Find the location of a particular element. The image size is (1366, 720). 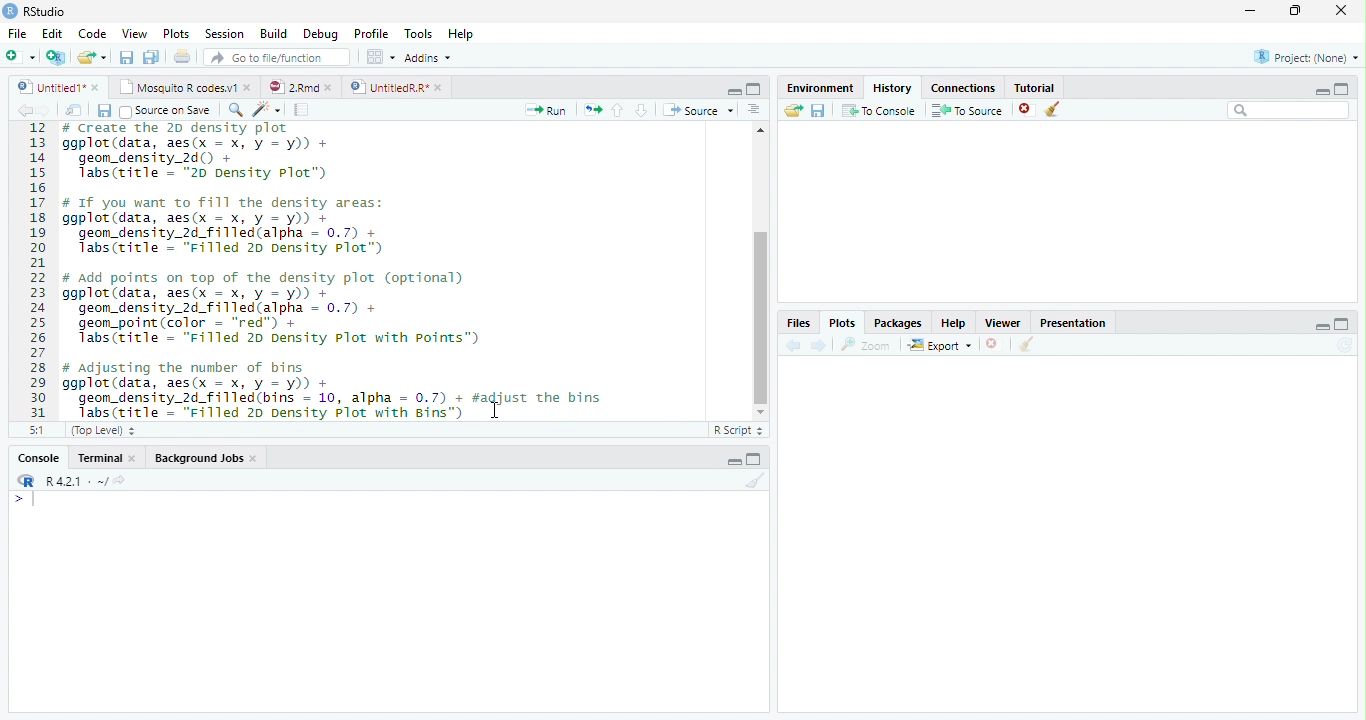

search is located at coordinates (232, 109).